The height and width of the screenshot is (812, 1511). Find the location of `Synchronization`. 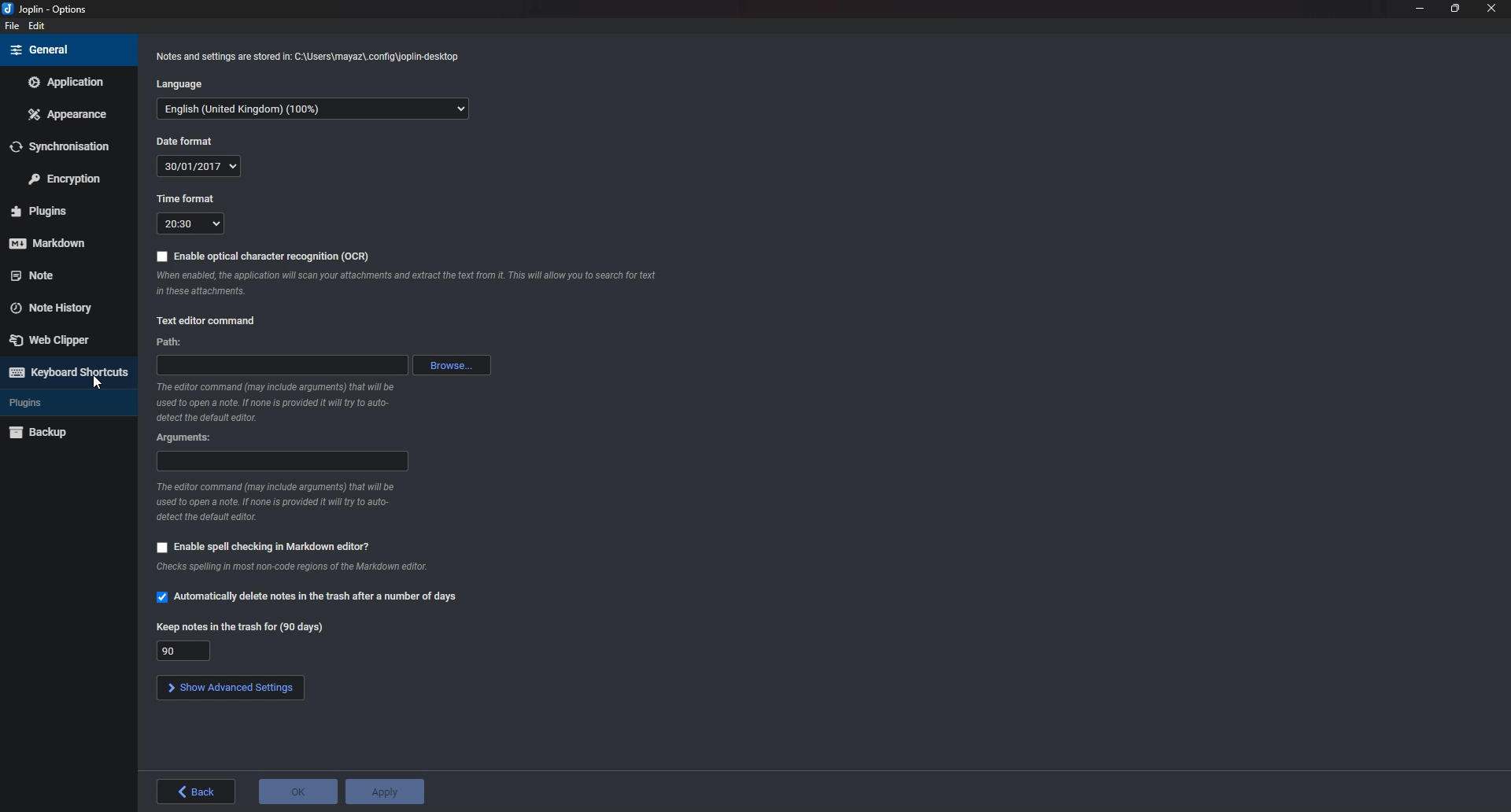

Synchronization is located at coordinates (70, 146).